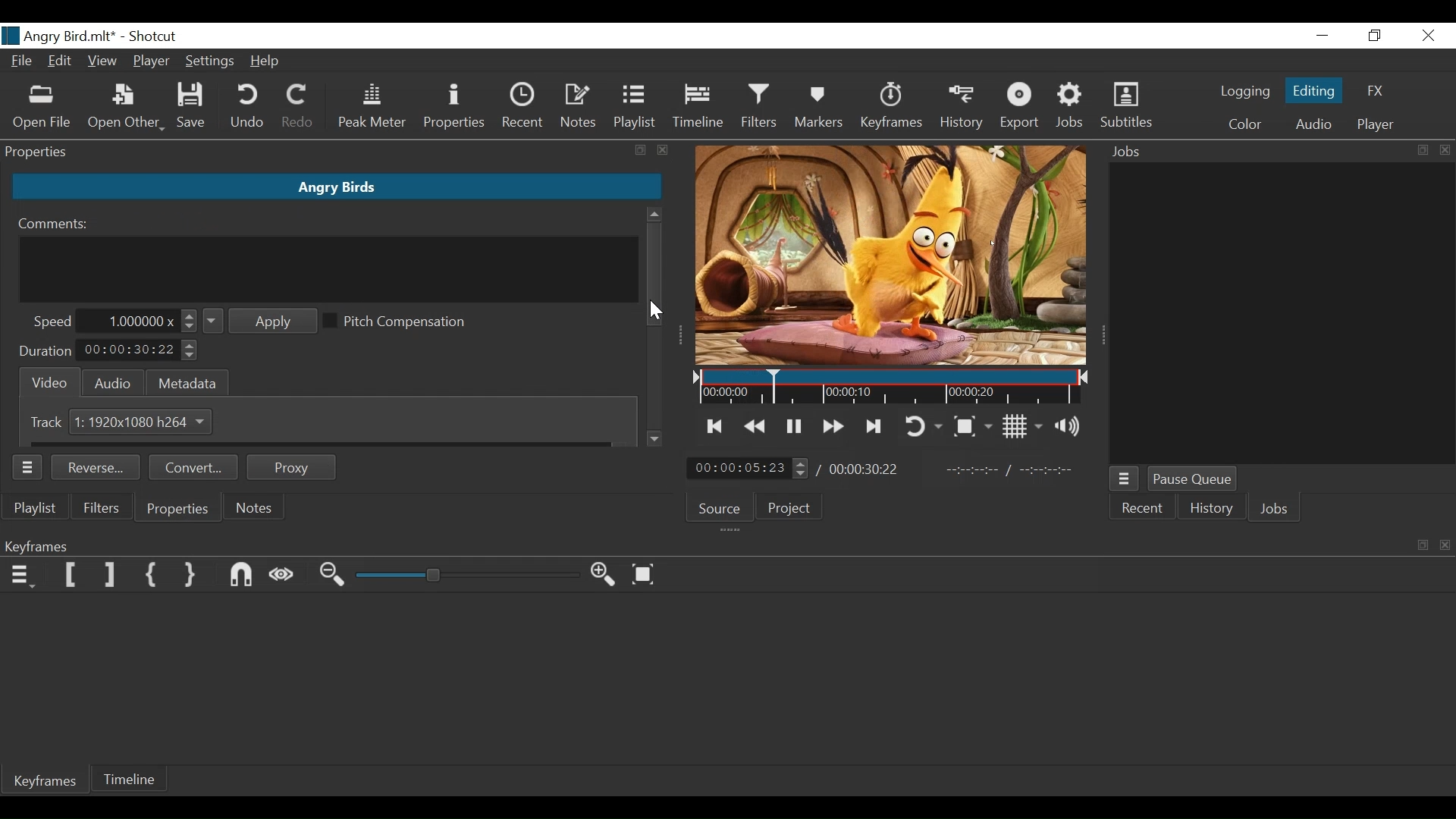 The height and width of the screenshot is (819, 1456). What do you see at coordinates (773, 387) in the screenshot?
I see `Insertion cursor` at bounding box center [773, 387].